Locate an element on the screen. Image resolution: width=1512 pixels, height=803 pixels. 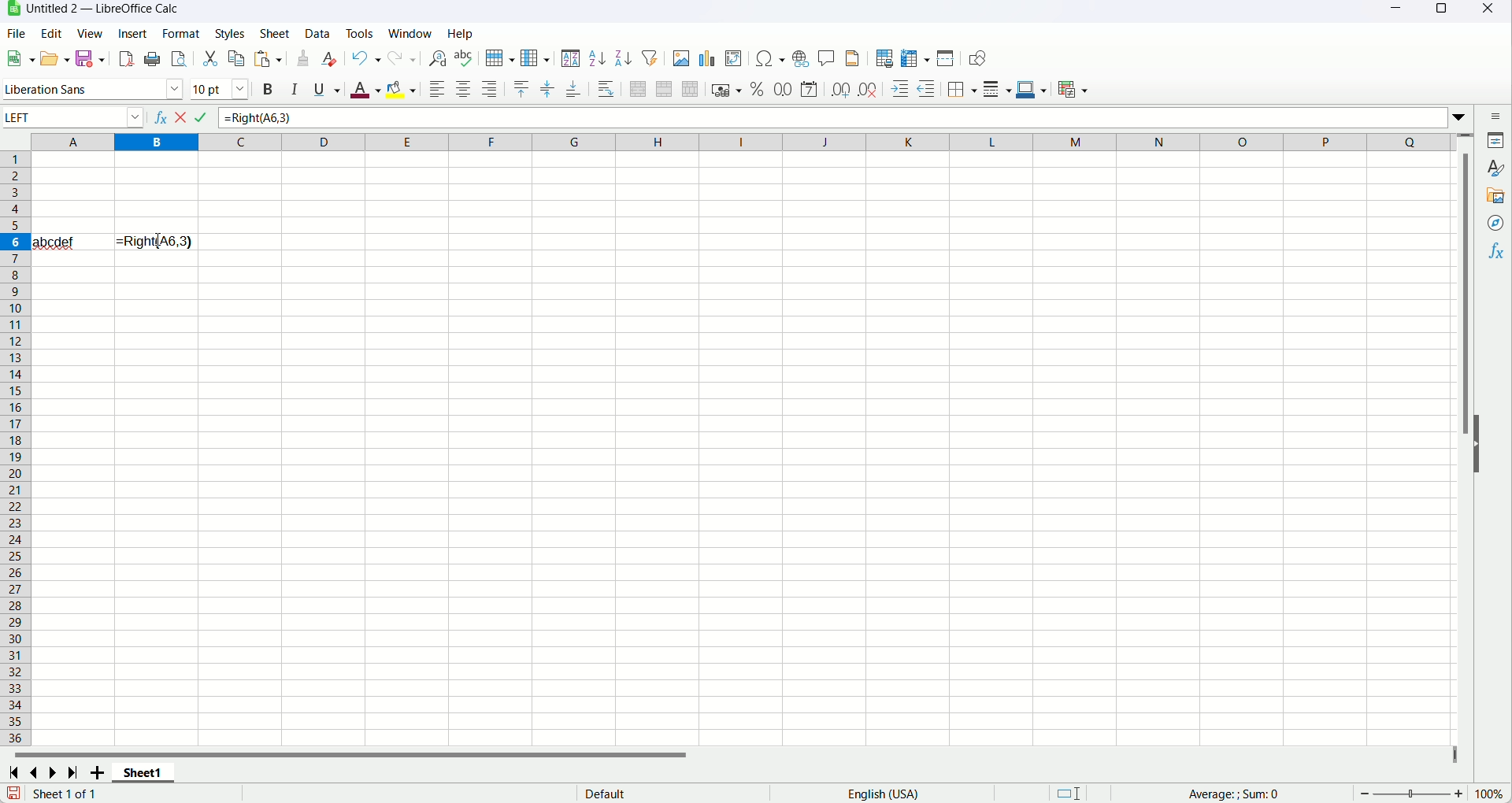
scroll to last sheet is located at coordinates (73, 772).